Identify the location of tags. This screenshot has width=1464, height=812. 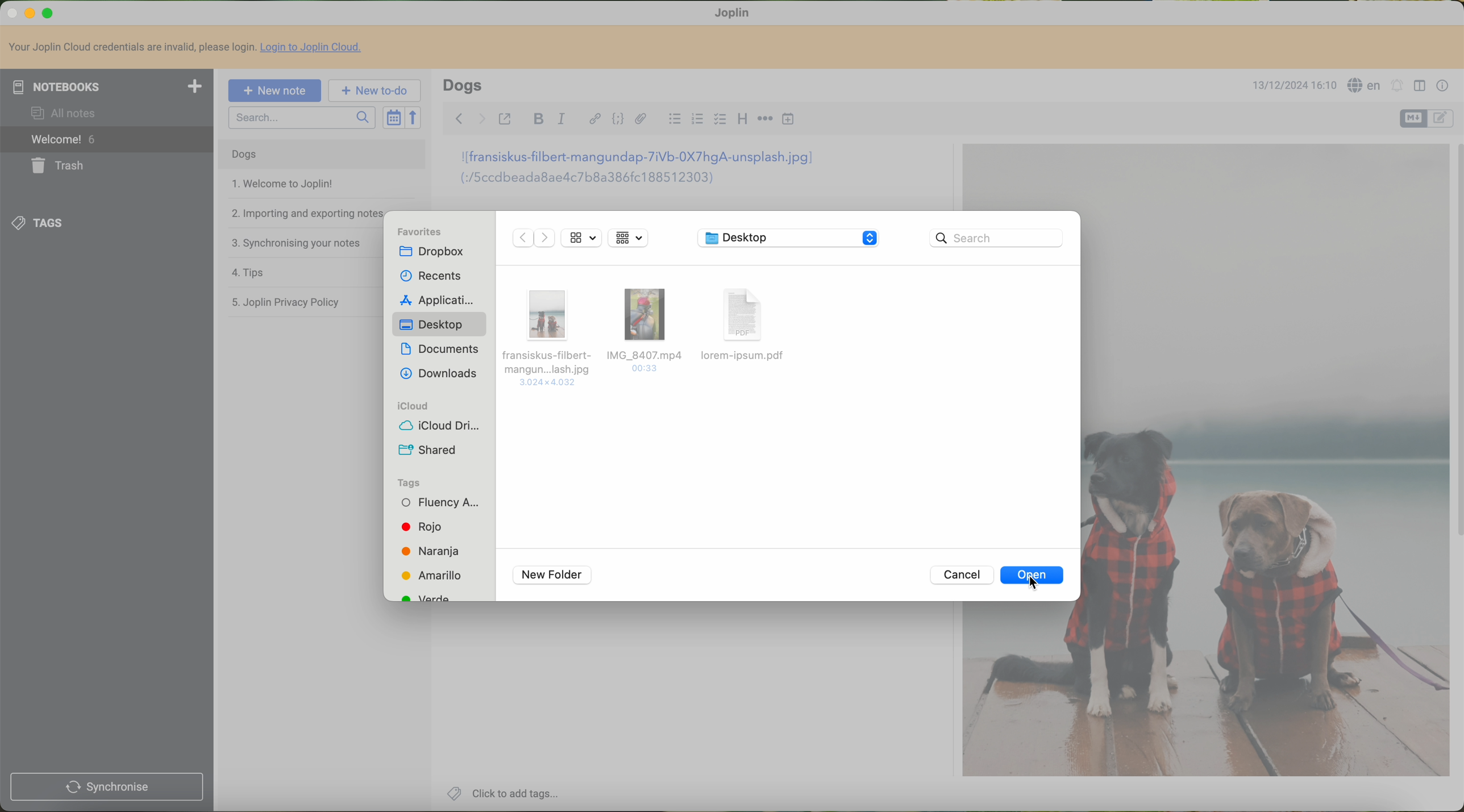
(413, 482).